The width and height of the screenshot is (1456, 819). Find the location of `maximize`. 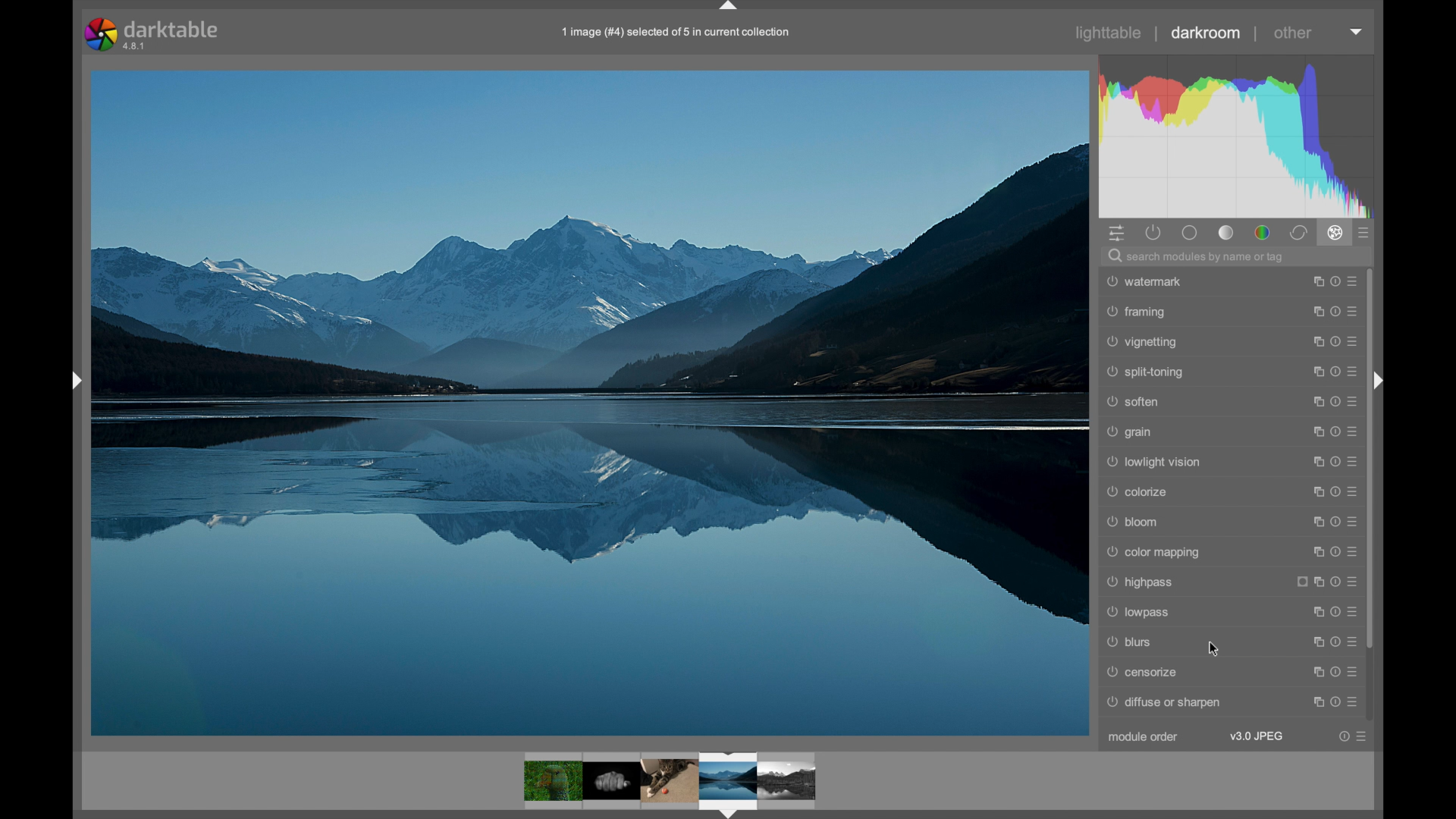

maximize is located at coordinates (1316, 402).